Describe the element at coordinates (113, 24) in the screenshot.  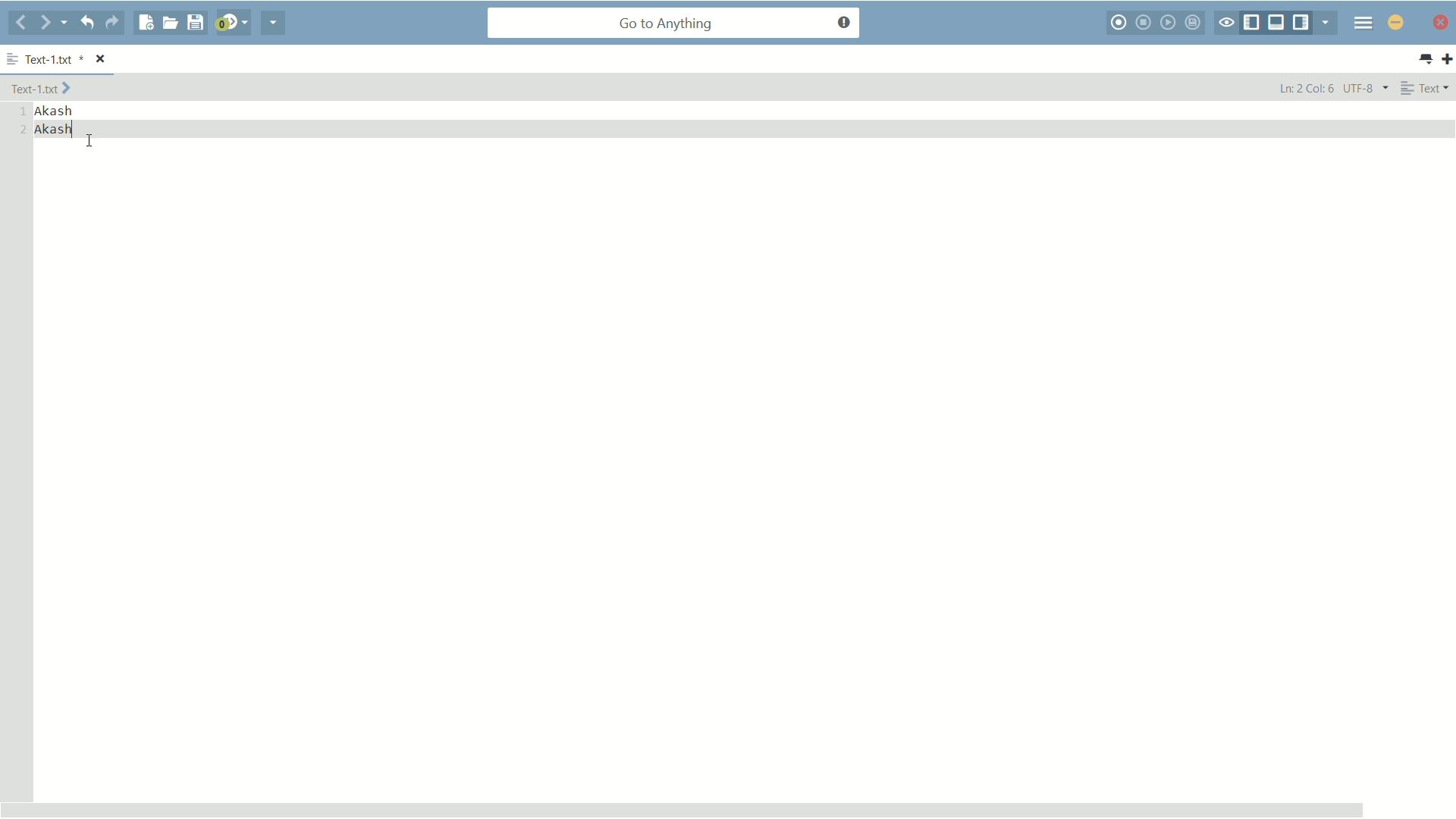
I see `redo` at that location.